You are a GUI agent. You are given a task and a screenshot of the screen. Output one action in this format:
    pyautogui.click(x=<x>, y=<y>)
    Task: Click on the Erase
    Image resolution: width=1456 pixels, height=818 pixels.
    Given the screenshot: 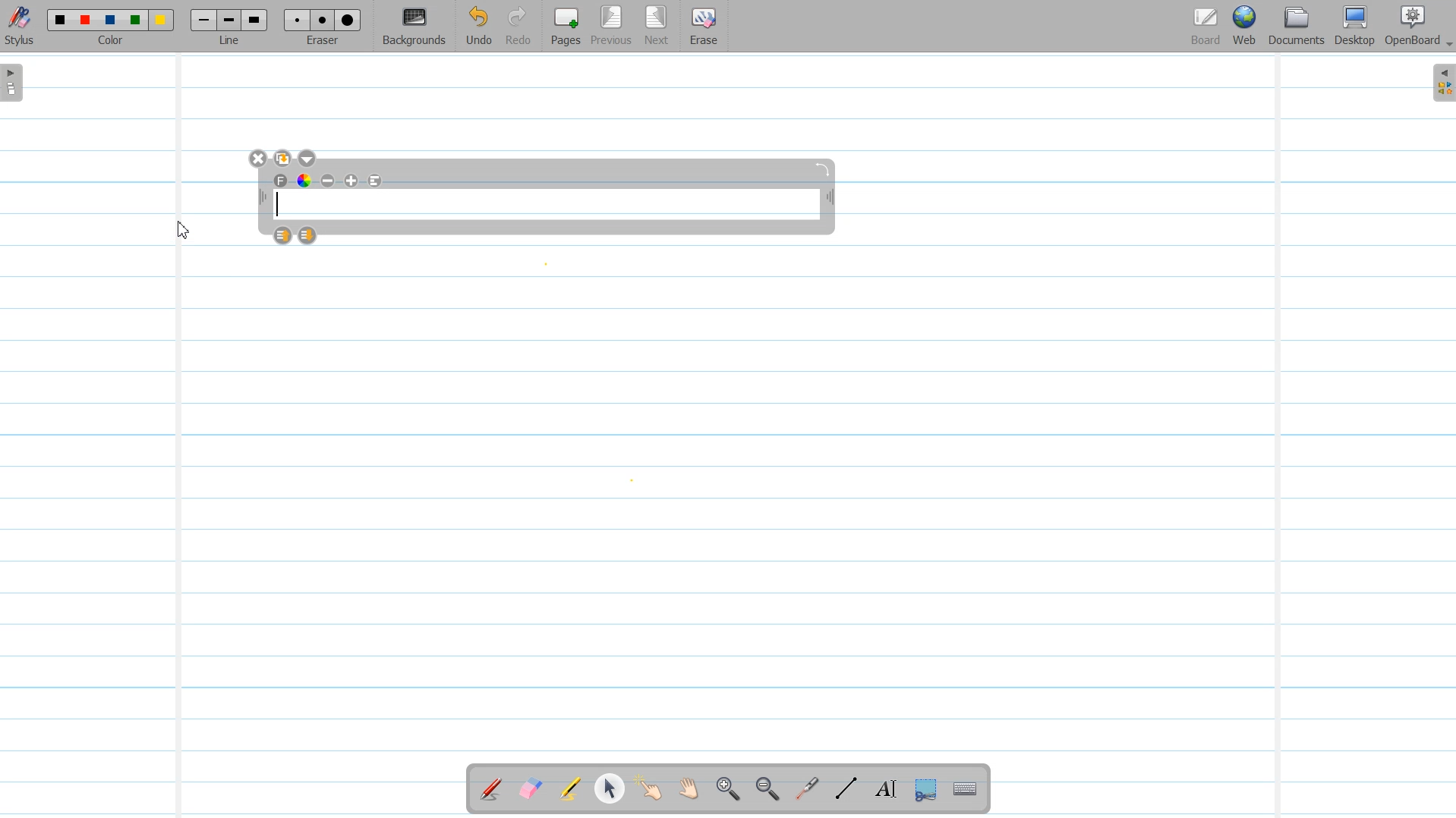 What is the action you would take?
    pyautogui.click(x=702, y=27)
    